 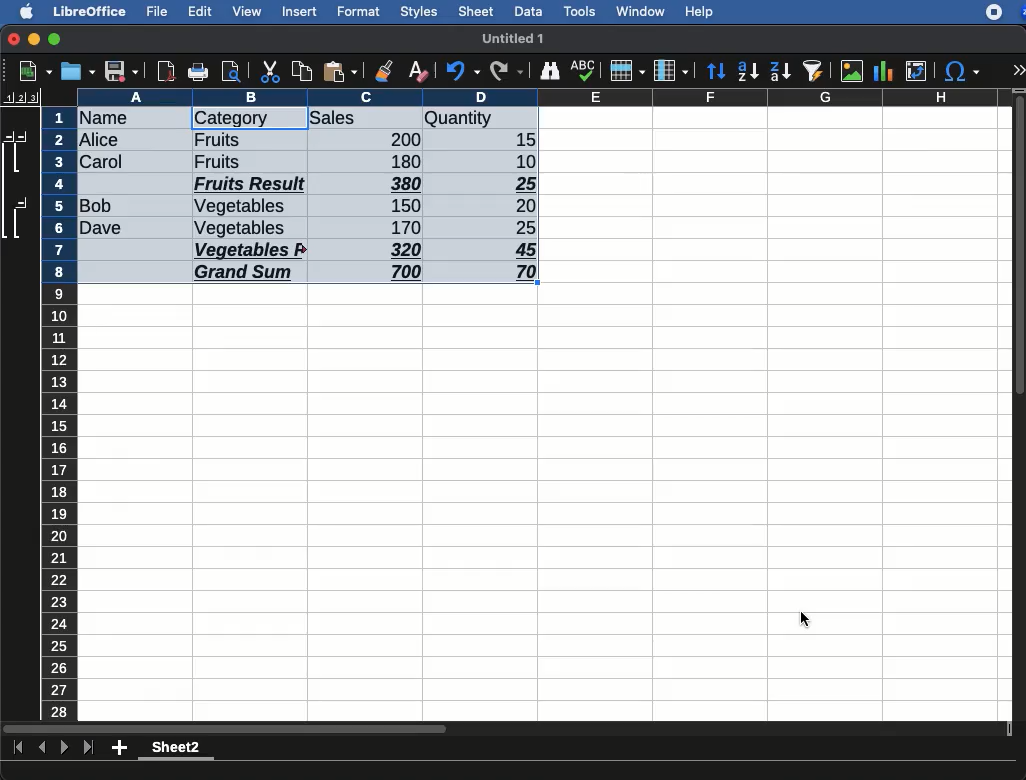 I want to click on pdf preview, so click(x=167, y=71).